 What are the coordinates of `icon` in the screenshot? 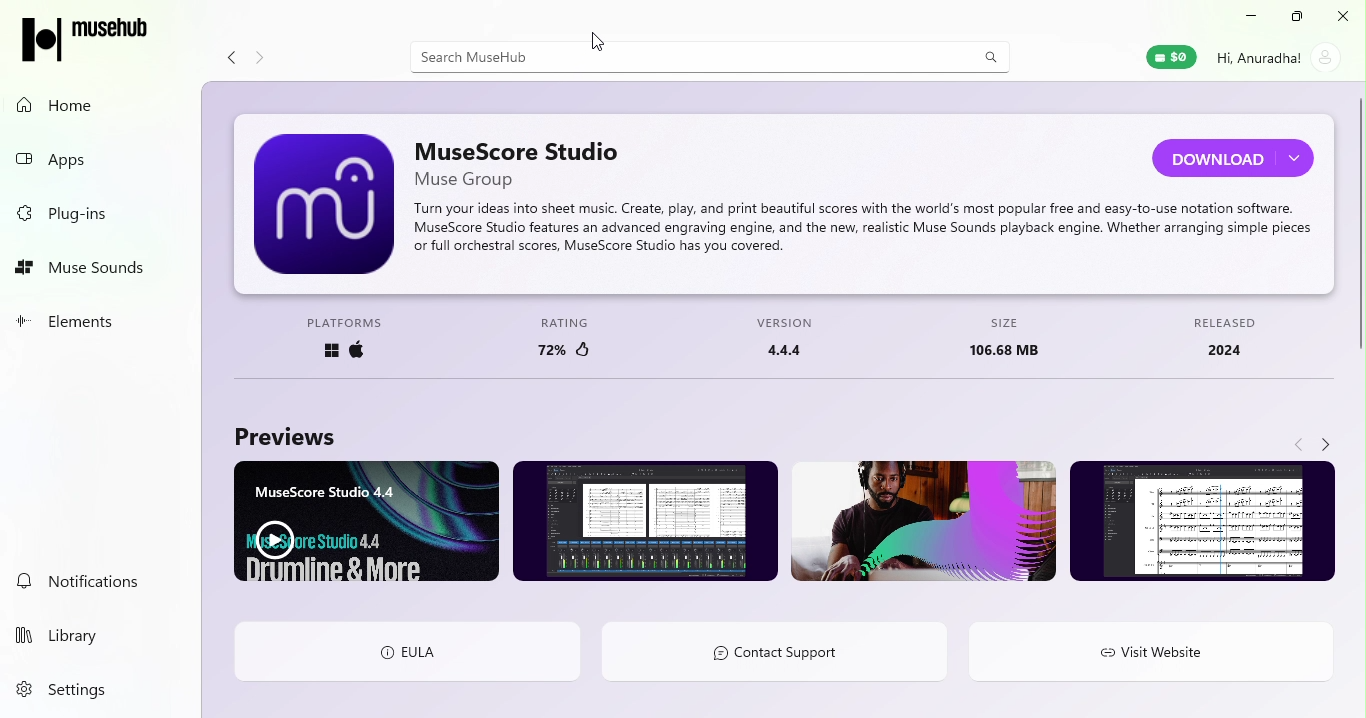 It's located at (87, 35).